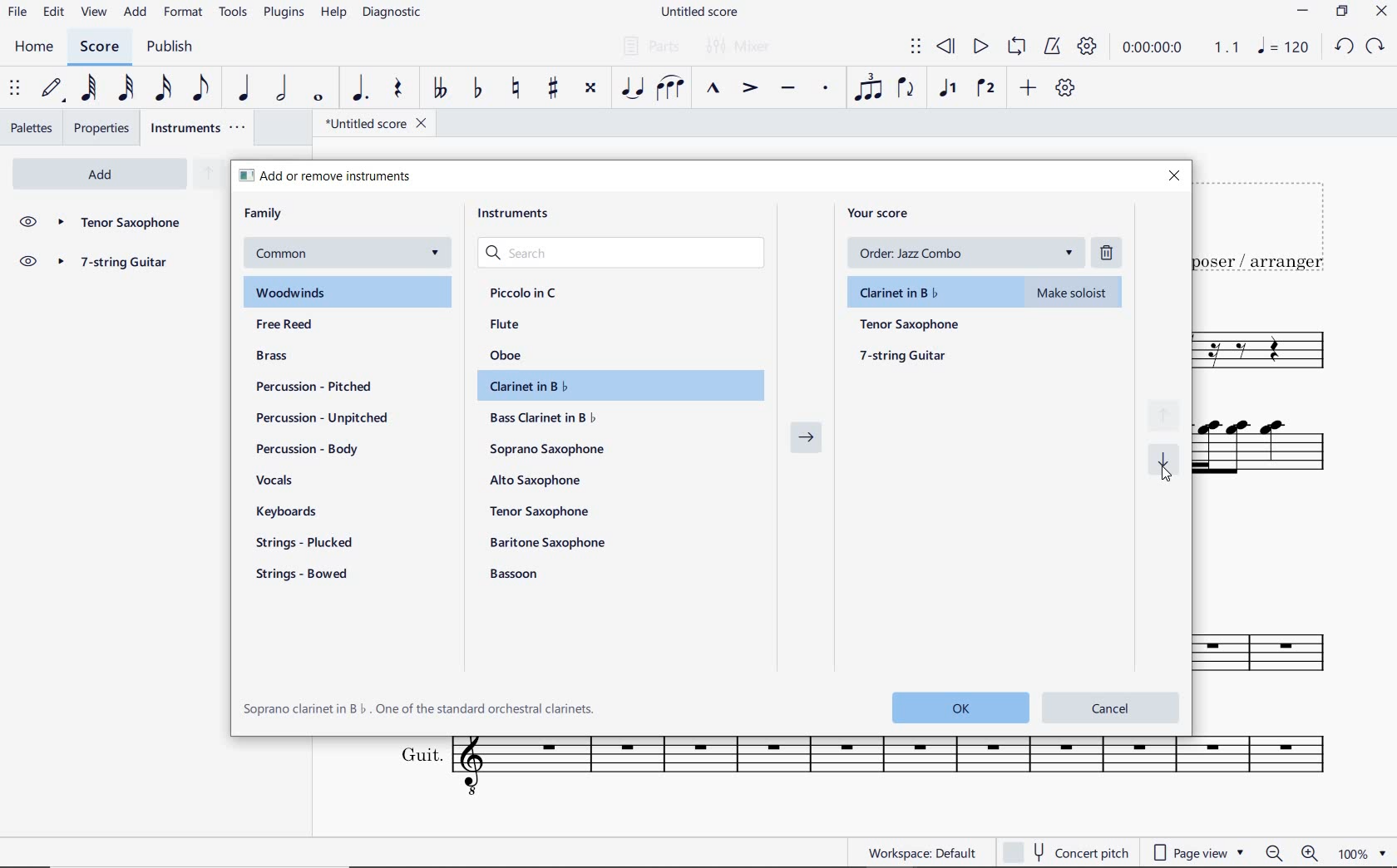  I want to click on INSTRUMENT: 7-STRING GUITAR, so click(1275, 455).